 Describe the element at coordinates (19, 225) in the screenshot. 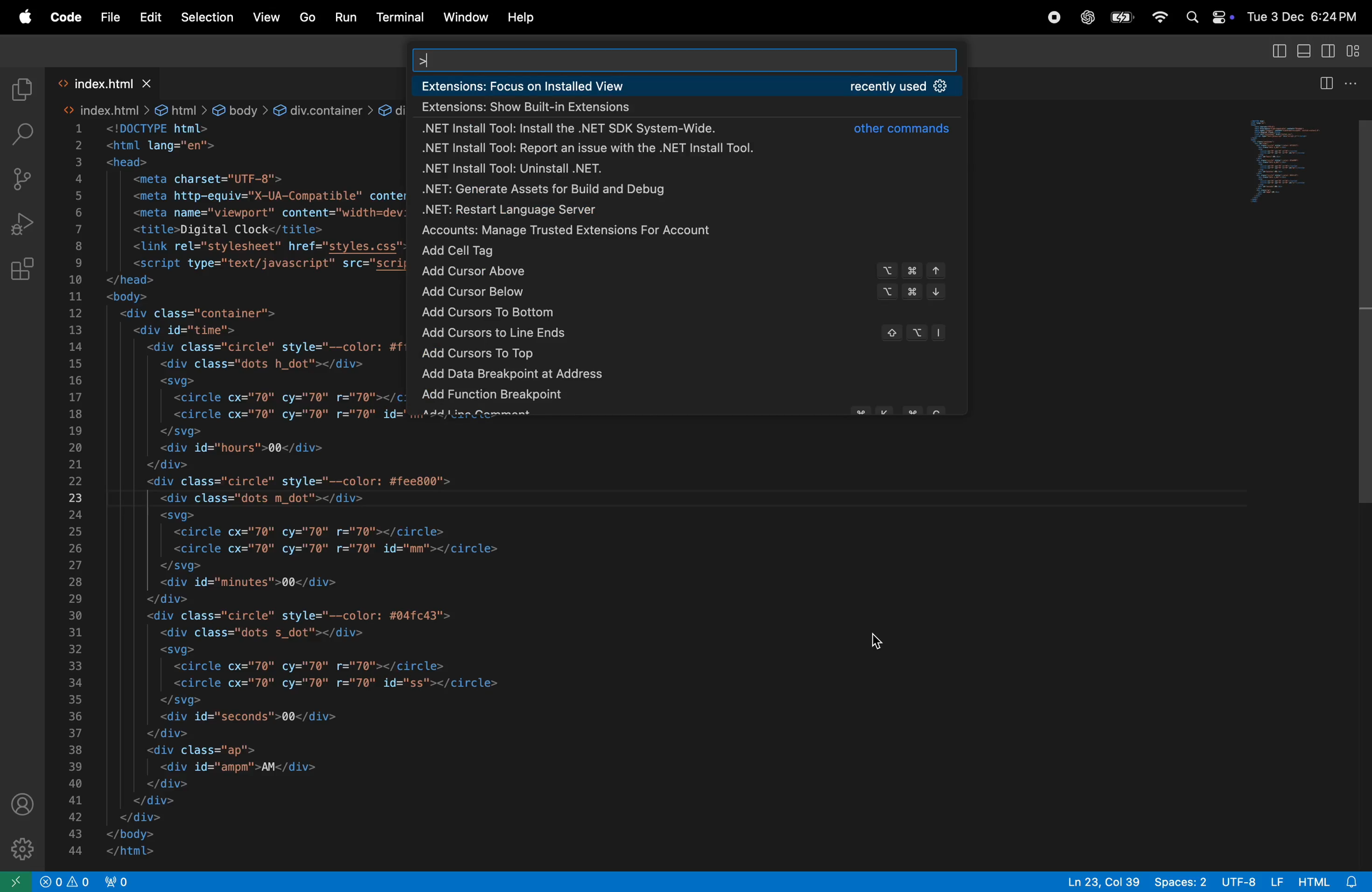

I see `run debug` at that location.